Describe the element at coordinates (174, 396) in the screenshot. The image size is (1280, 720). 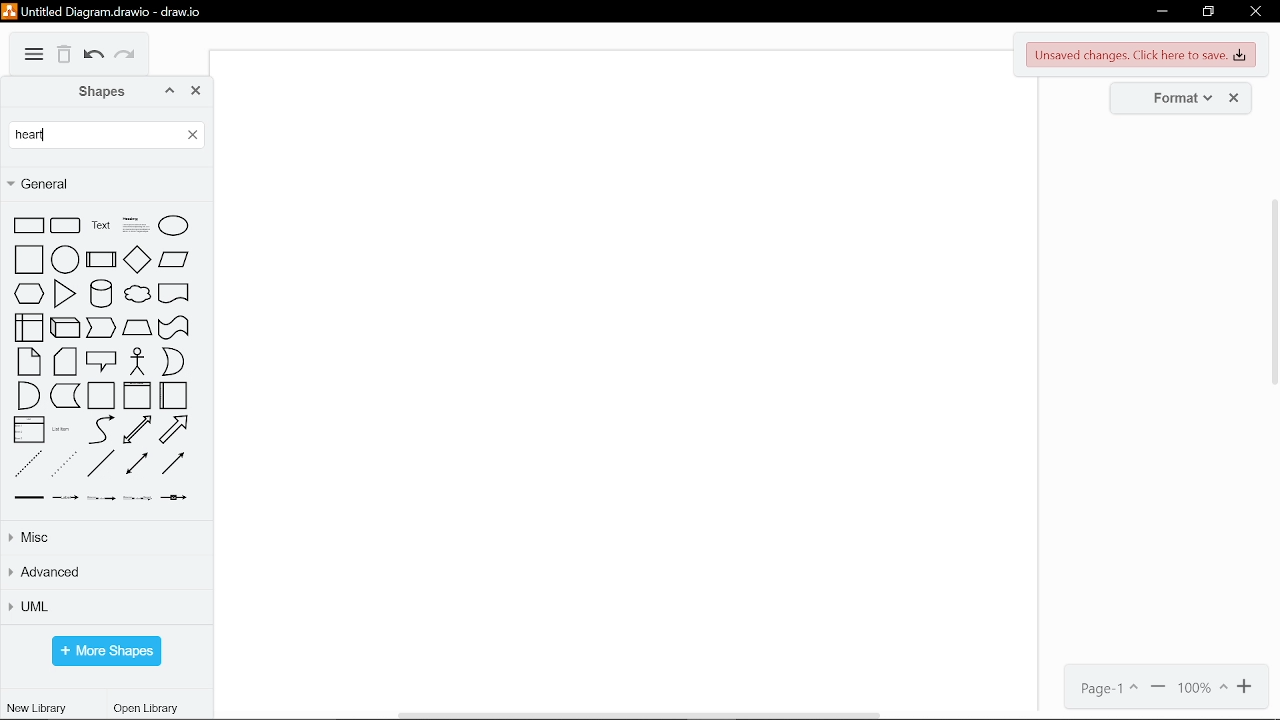
I see `horizontal container` at that location.